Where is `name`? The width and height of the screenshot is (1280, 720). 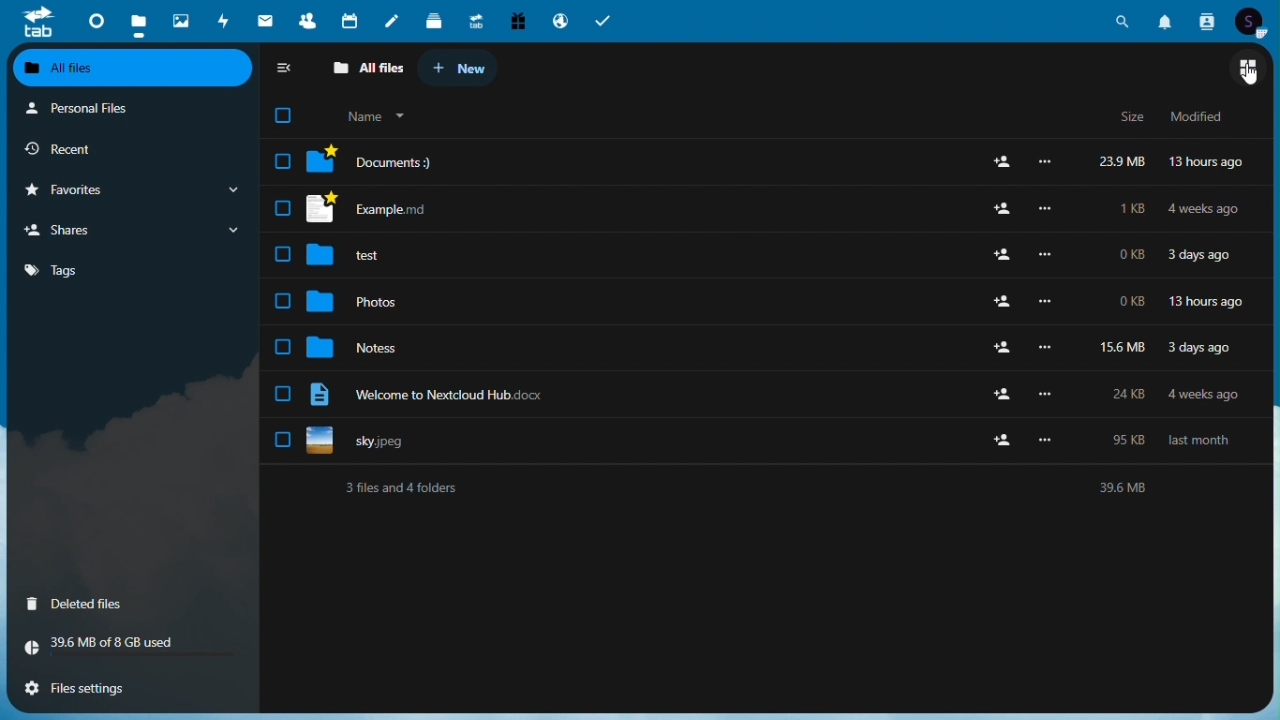 name is located at coordinates (372, 116).